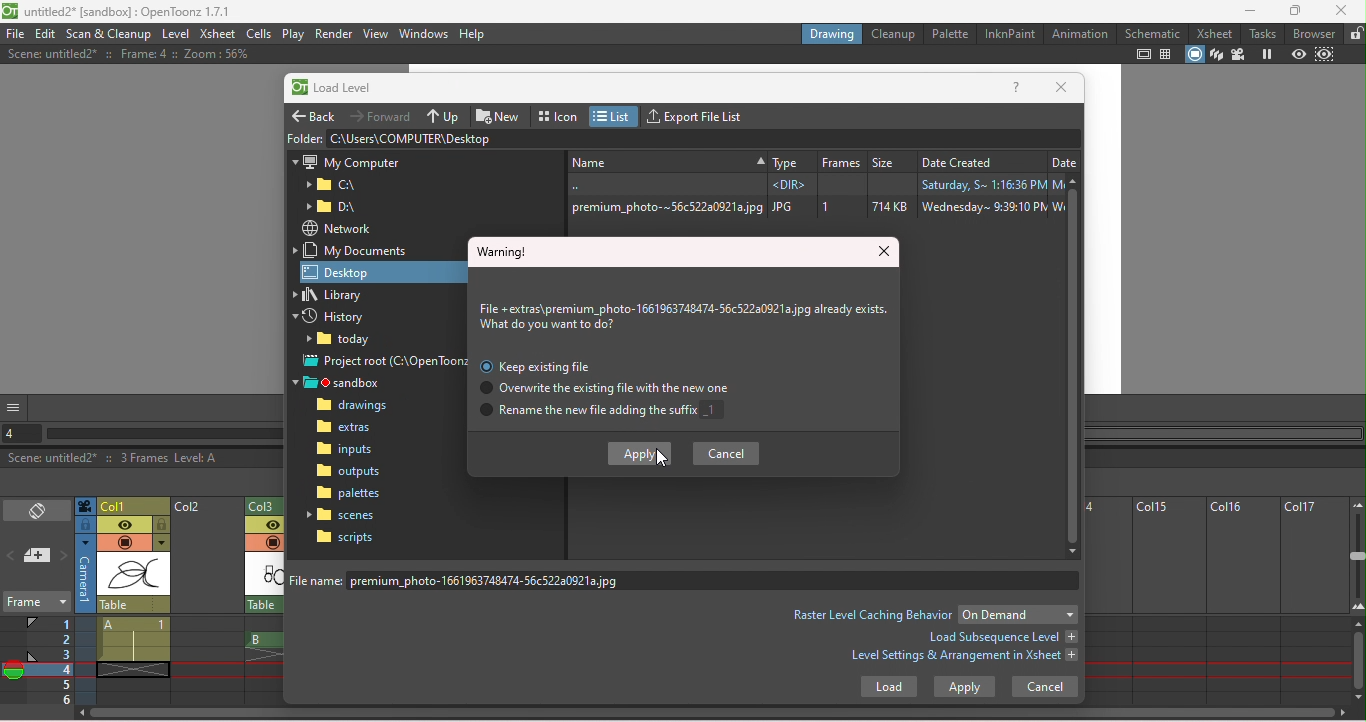 Image resolution: width=1366 pixels, height=722 pixels. What do you see at coordinates (344, 341) in the screenshot?
I see `Folder` at bounding box center [344, 341].